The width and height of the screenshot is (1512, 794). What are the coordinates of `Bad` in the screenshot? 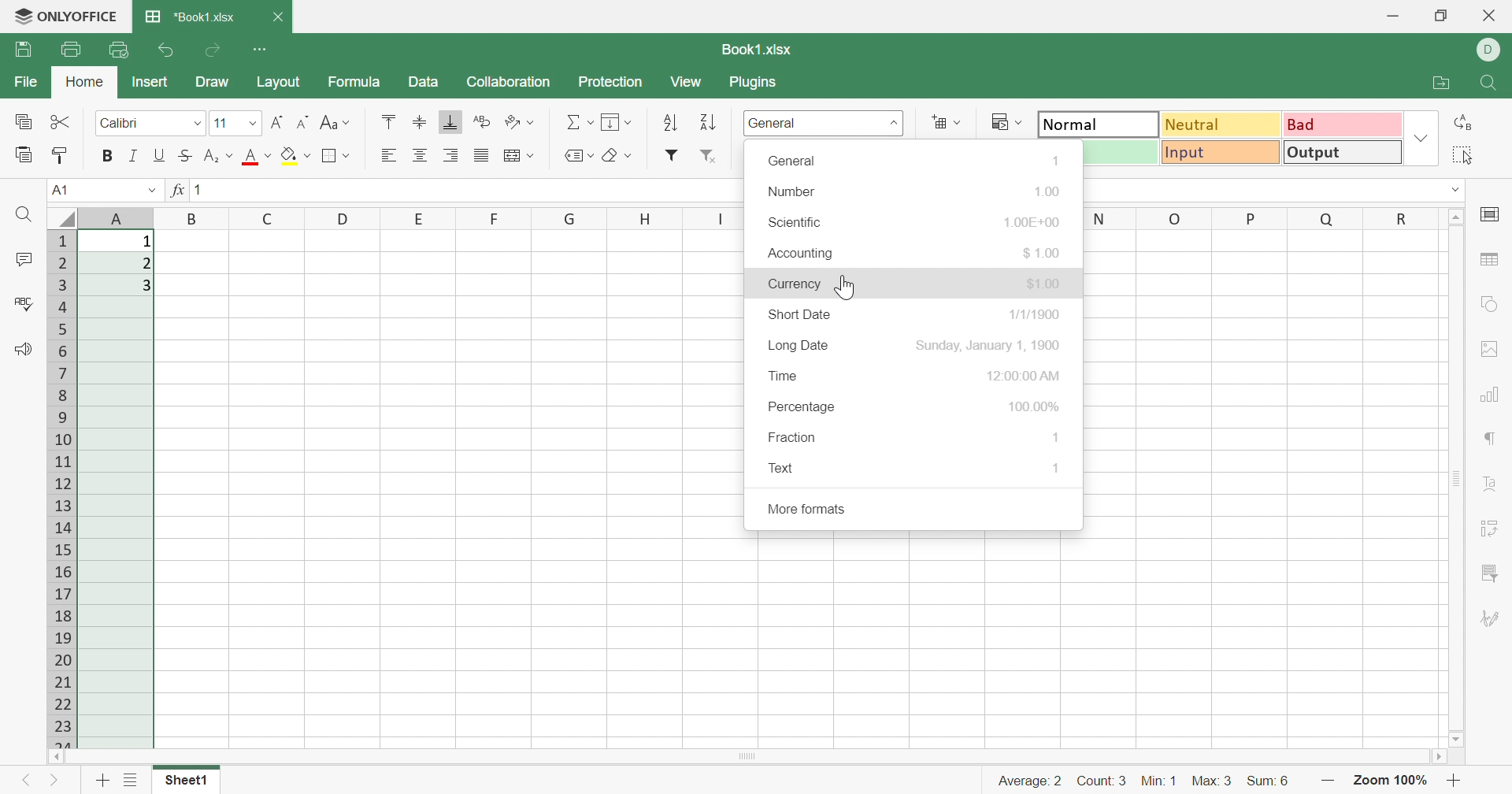 It's located at (1341, 123).